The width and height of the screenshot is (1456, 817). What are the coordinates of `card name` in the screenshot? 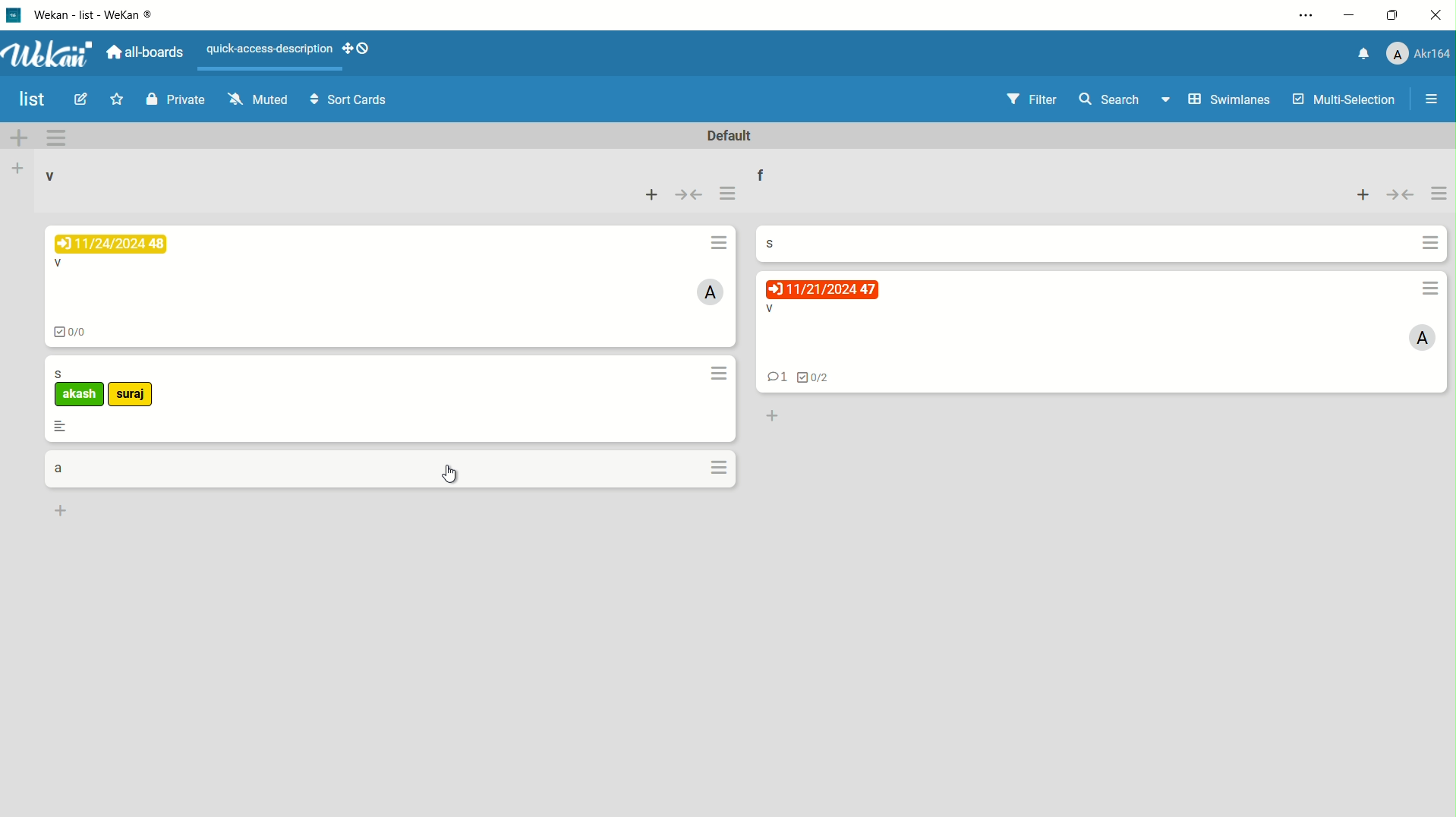 It's located at (768, 309).